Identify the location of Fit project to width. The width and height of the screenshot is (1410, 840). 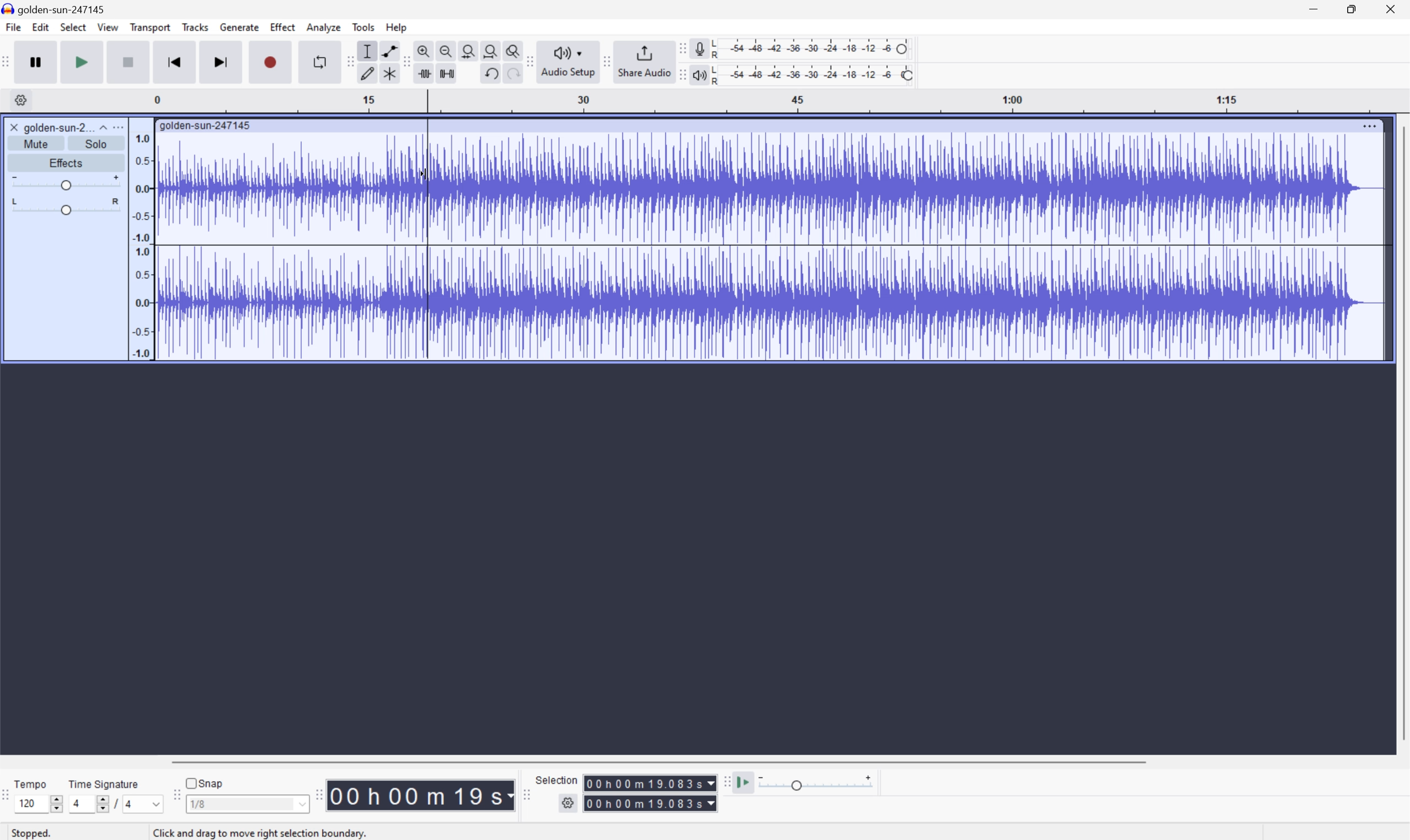
(493, 50).